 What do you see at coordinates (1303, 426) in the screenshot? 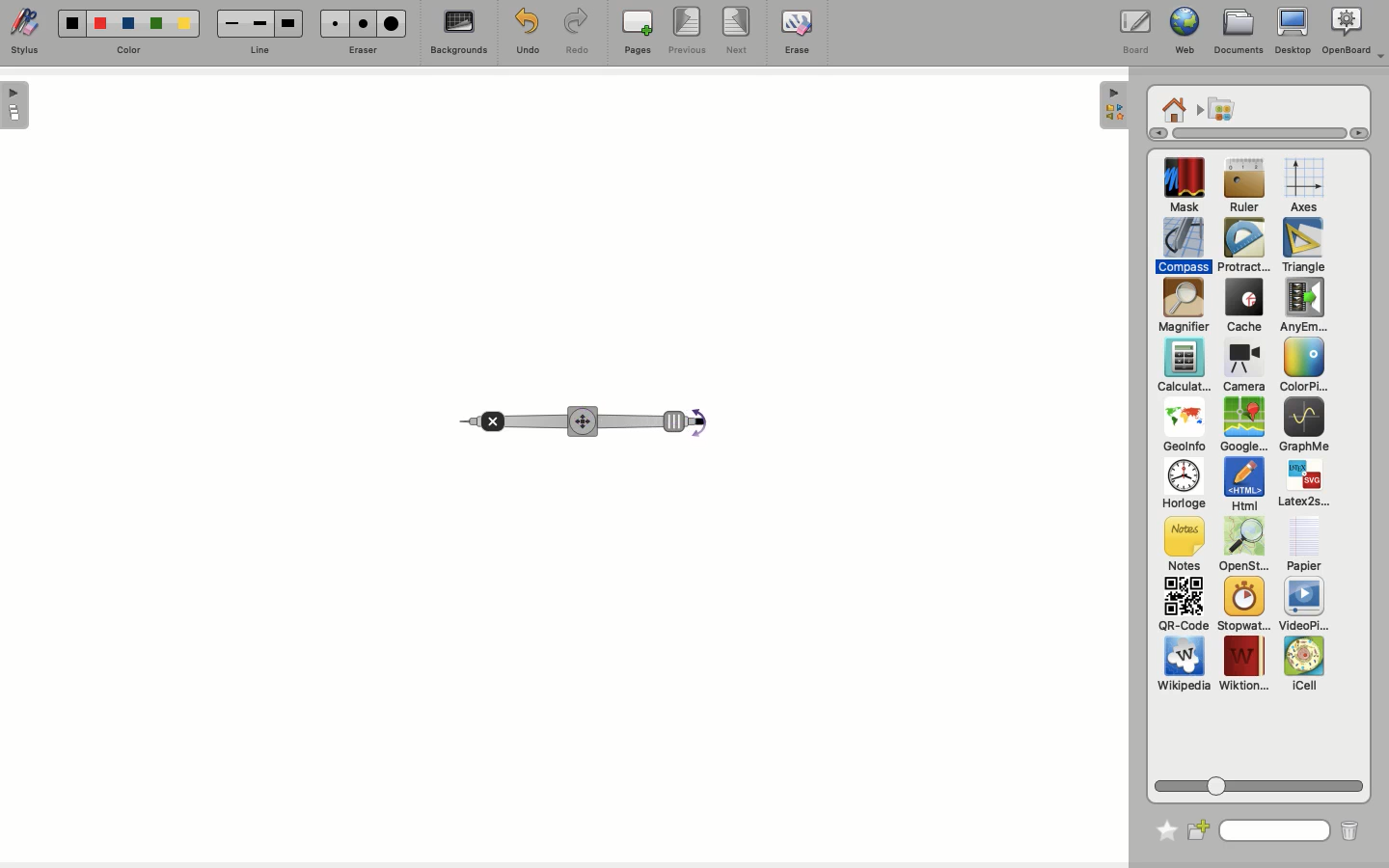
I see `GraphMe` at bounding box center [1303, 426].